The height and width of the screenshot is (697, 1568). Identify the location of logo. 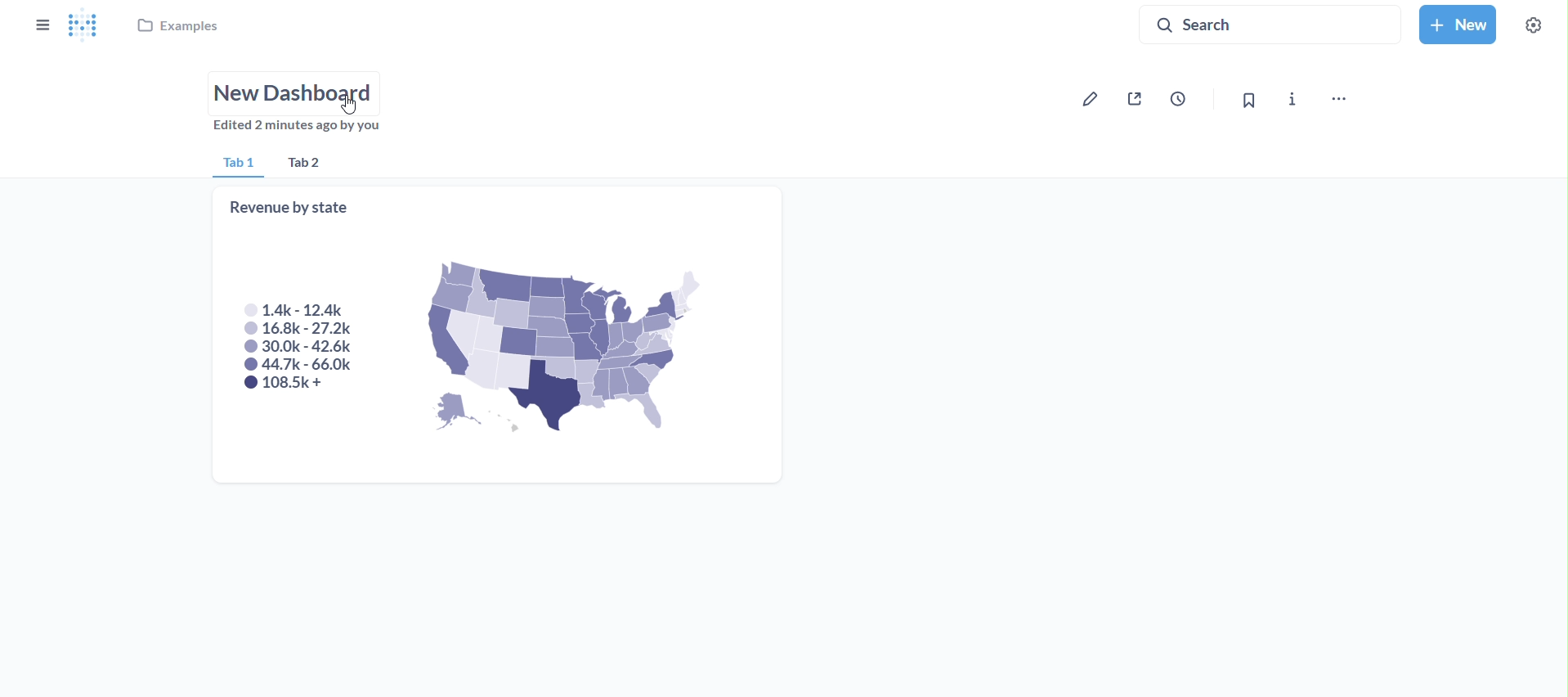
(87, 26).